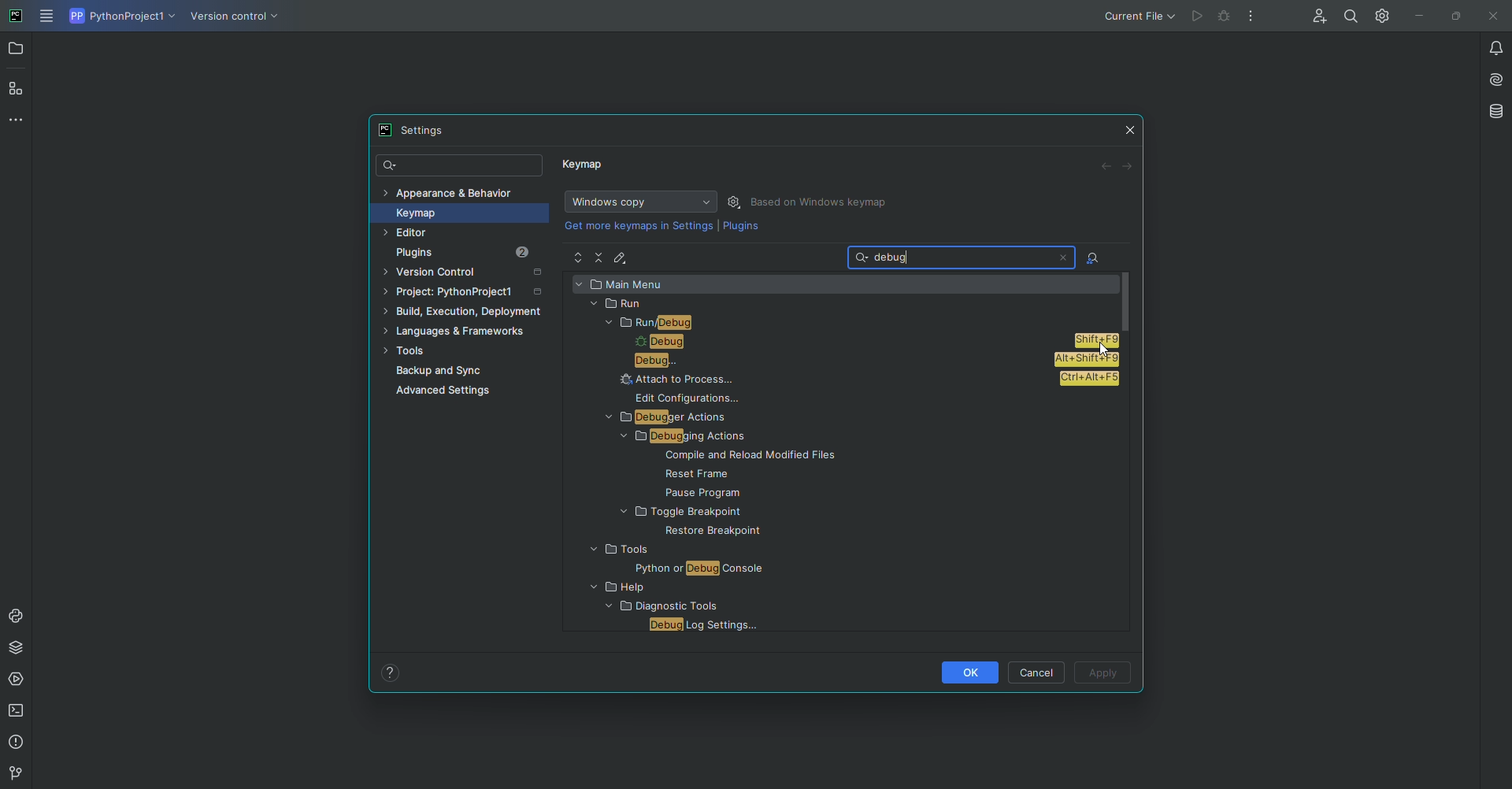  I want to click on version Control, so click(13, 774).